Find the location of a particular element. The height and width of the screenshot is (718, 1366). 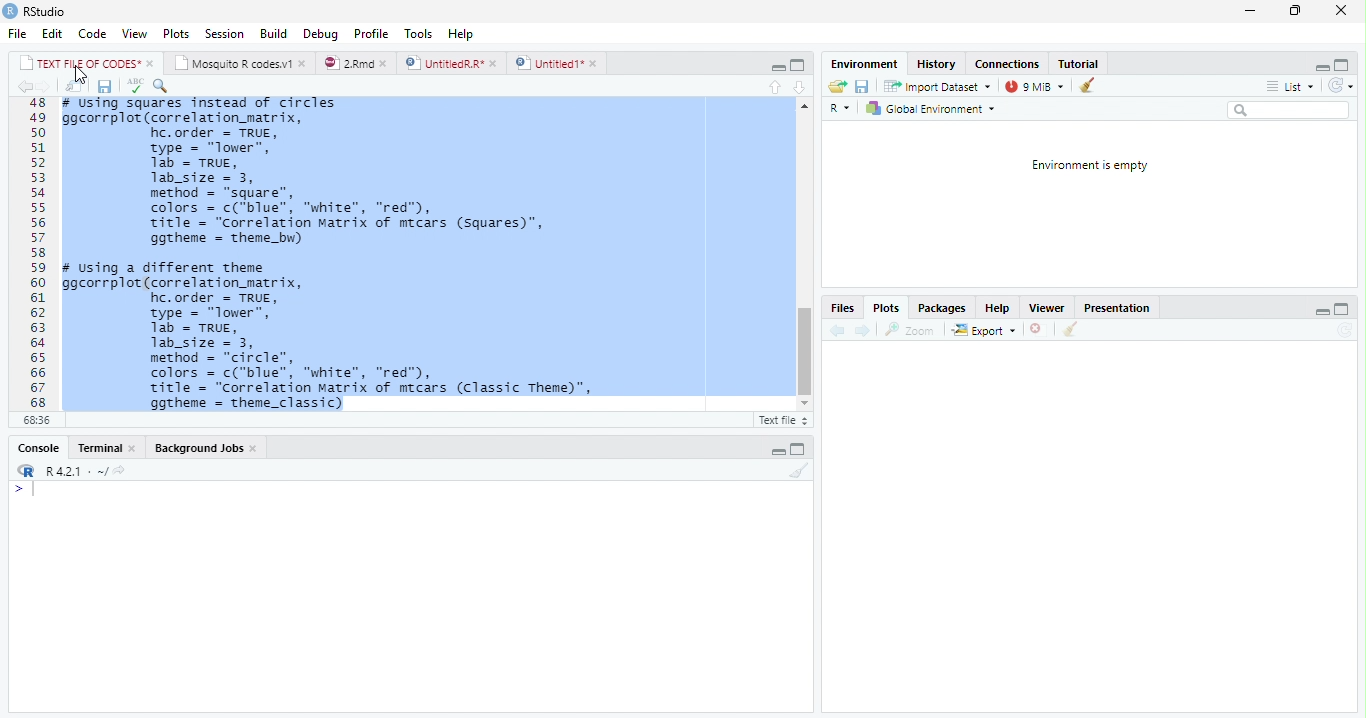

| TEXT FILE OF CODES* » is located at coordinates (88, 63).